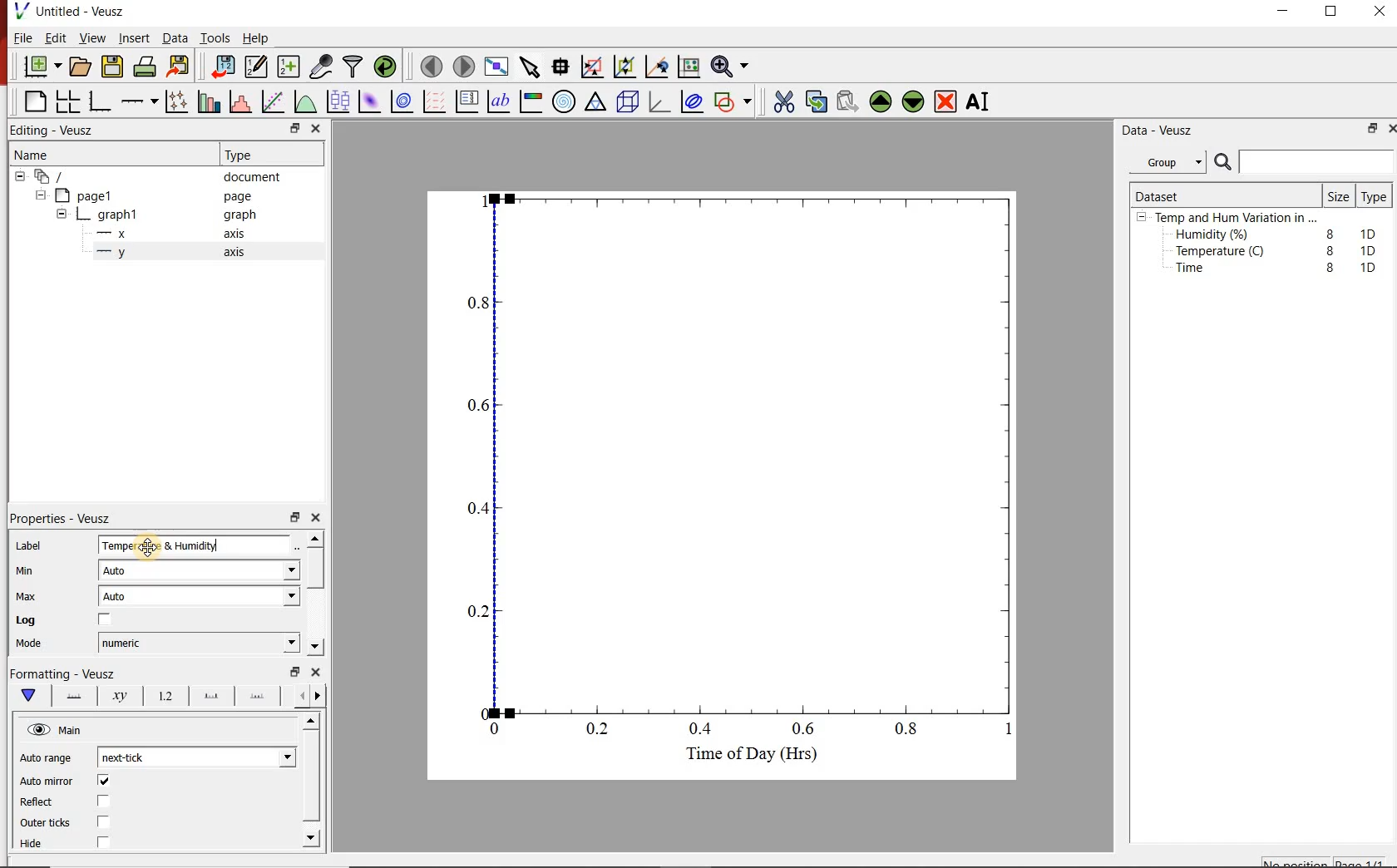  Describe the element at coordinates (56, 40) in the screenshot. I see `Edit` at that location.